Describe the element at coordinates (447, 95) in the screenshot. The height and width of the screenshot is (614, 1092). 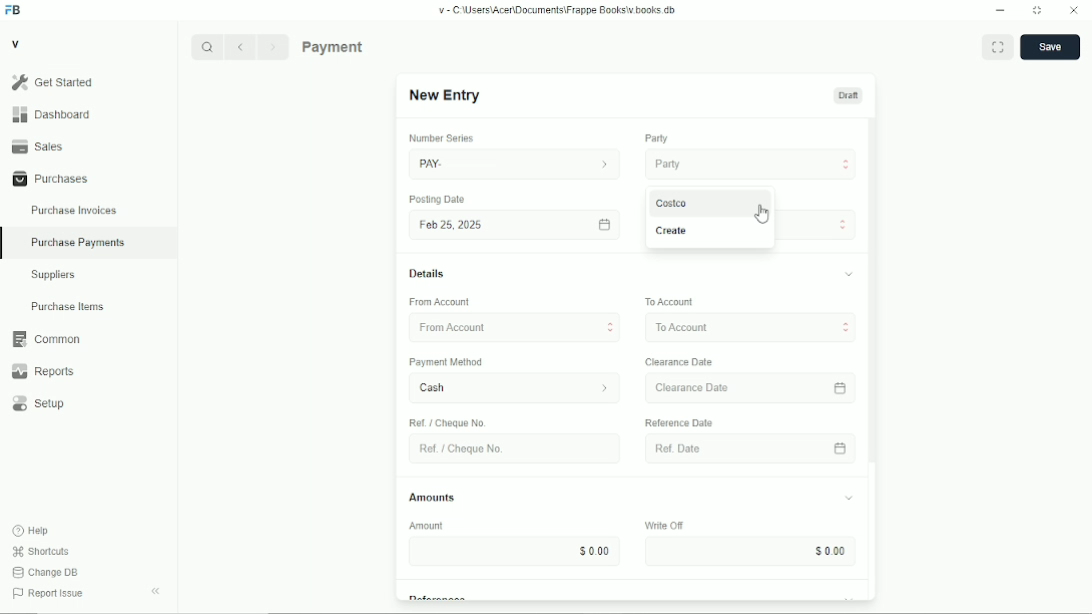
I see `New Entry` at that location.